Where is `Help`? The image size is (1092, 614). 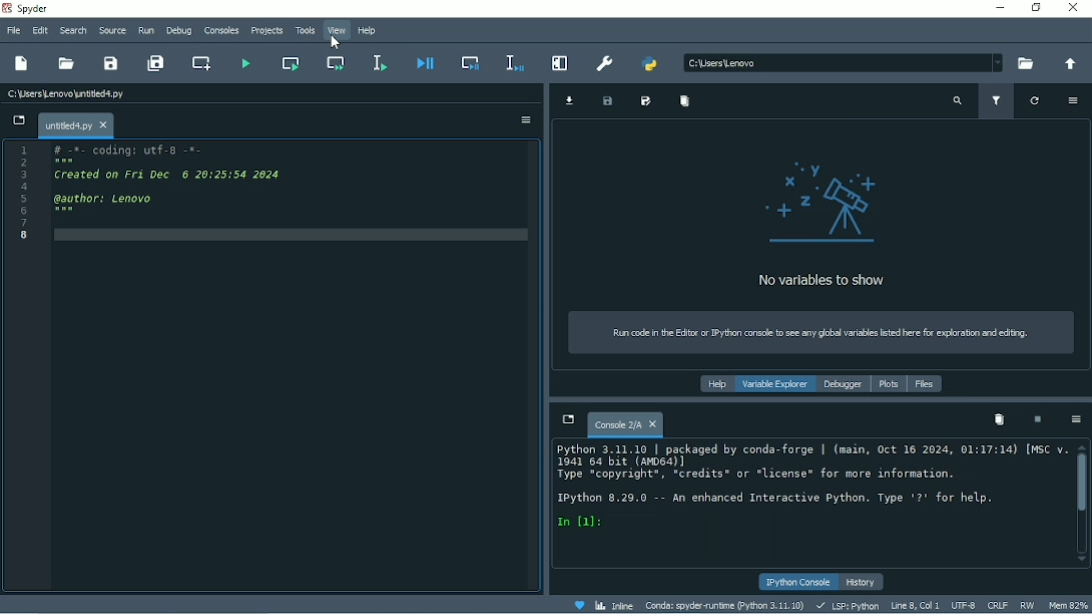 Help is located at coordinates (368, 31).